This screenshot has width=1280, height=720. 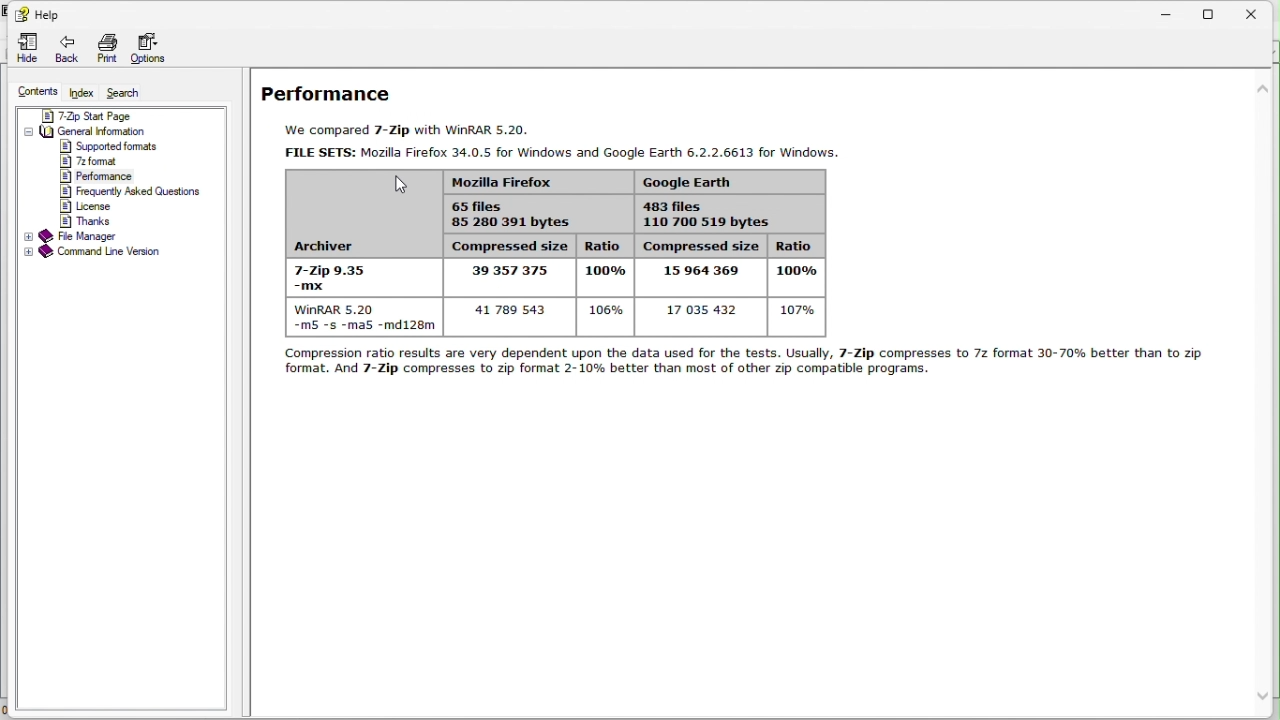 What do you see at coordinates (545, 119) in the screenshot?
I see `Performance
We compared 7-Zip with WinRAR 5.20.
FILE SETS: Mozilla Firefox 34.0.5 for Windows and Google Earth 6.2.2.6613 for Windows.` at bounding box center [545, 119].